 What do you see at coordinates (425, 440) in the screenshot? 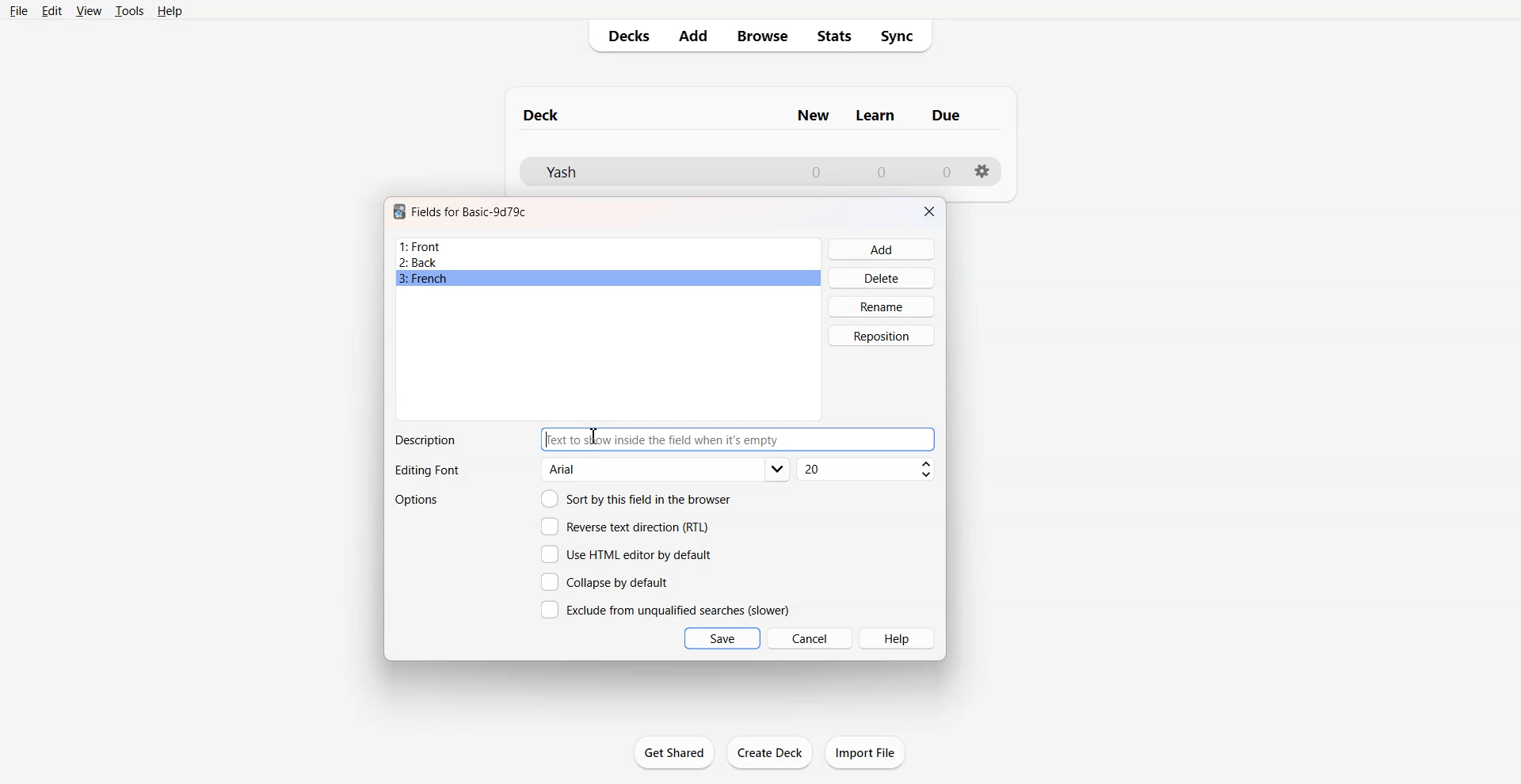
I see `Text` at bounding box center [425, 440].